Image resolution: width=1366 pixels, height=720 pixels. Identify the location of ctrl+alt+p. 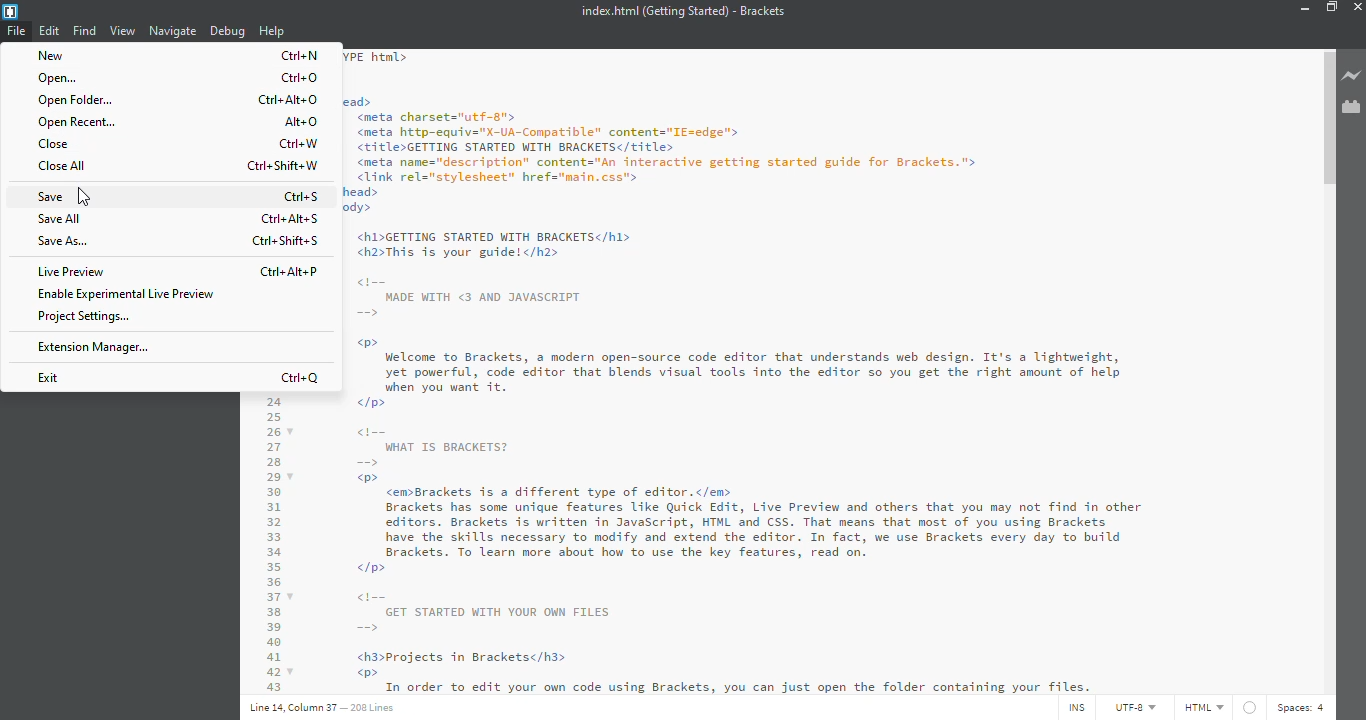
(290, 271).